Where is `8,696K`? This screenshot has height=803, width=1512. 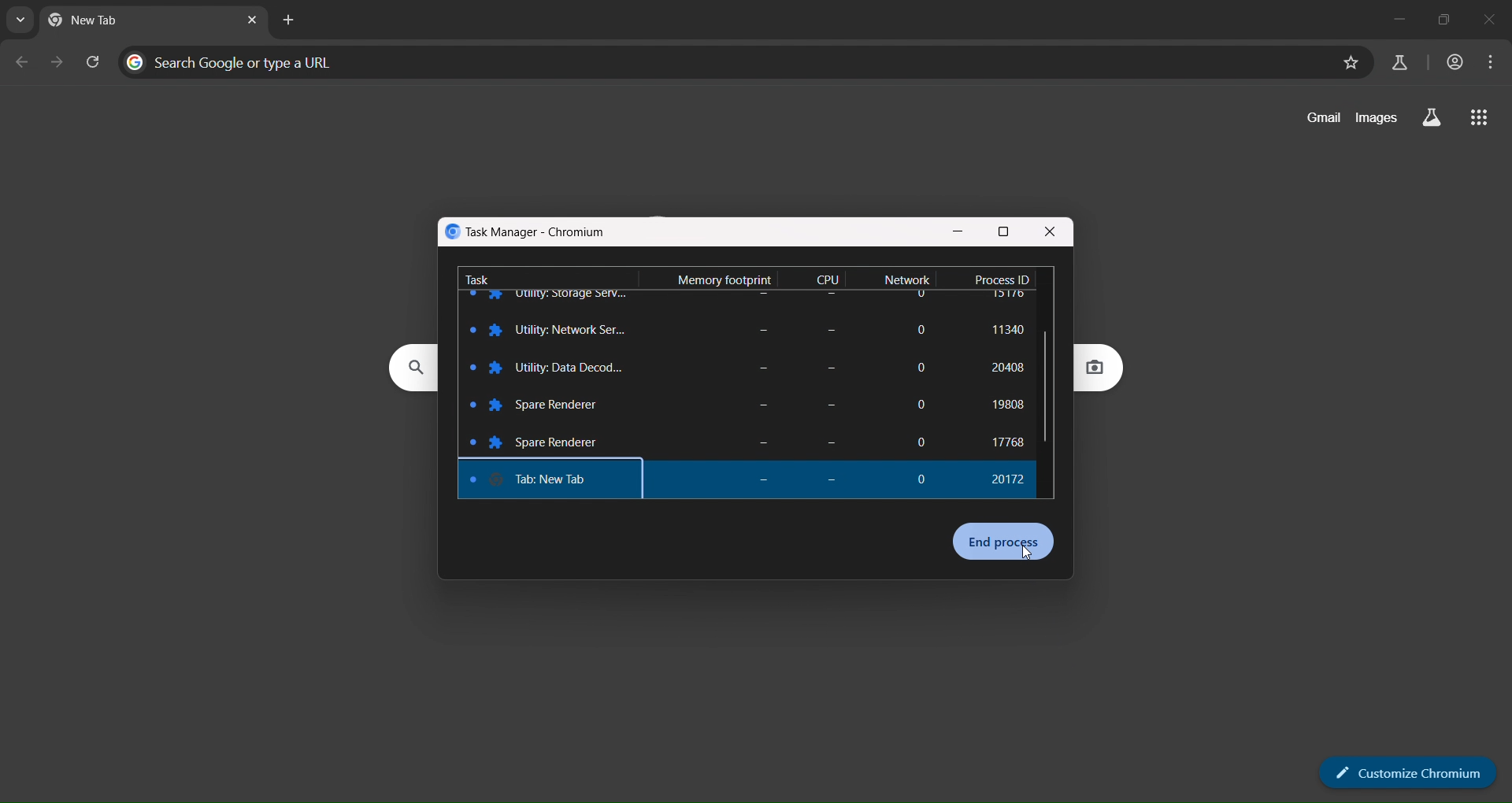
8,696K is located at coordinates (757, 330).